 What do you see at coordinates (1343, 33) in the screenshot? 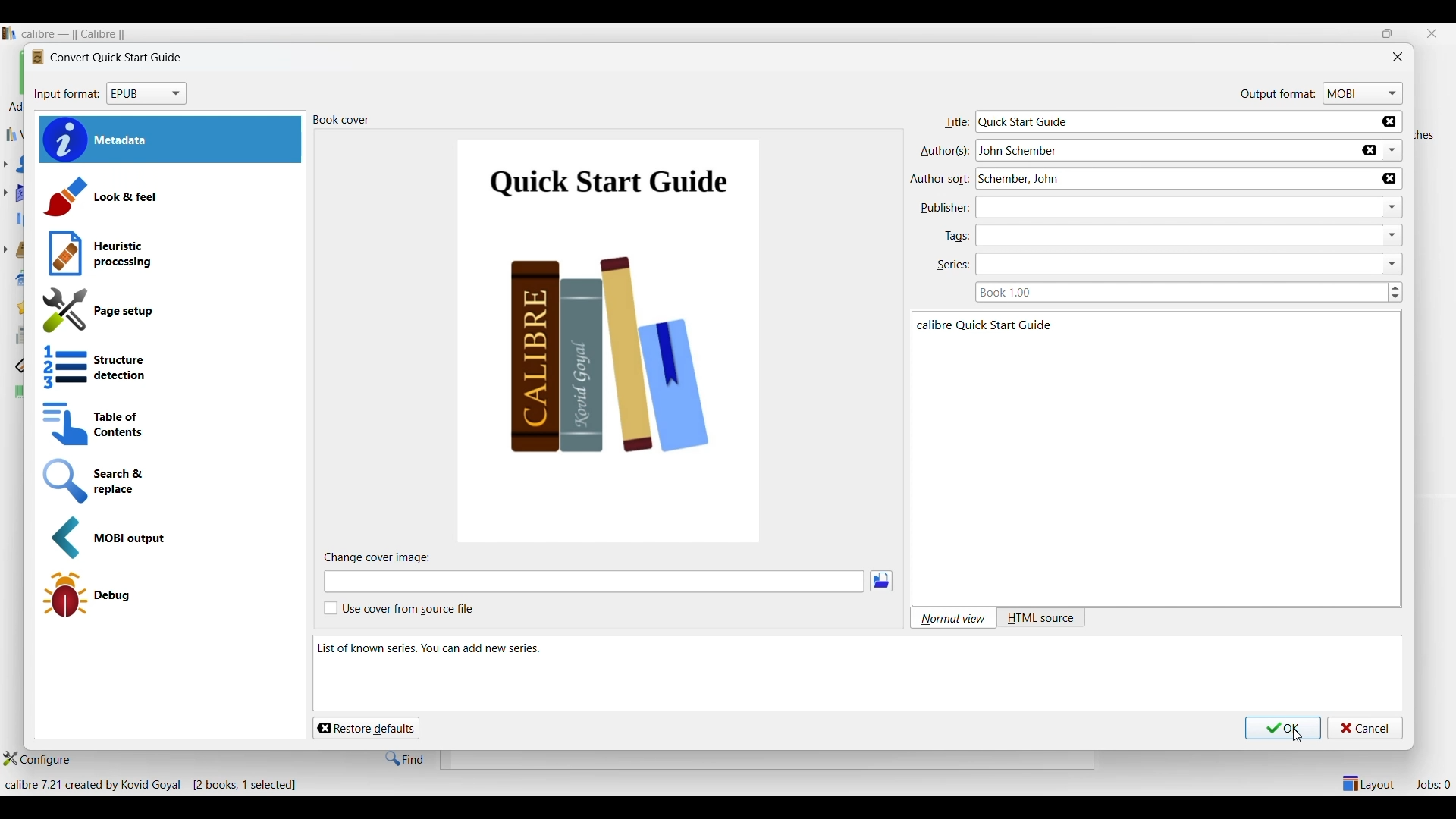
I see `Minimize` at bounding box center [1343, 33].